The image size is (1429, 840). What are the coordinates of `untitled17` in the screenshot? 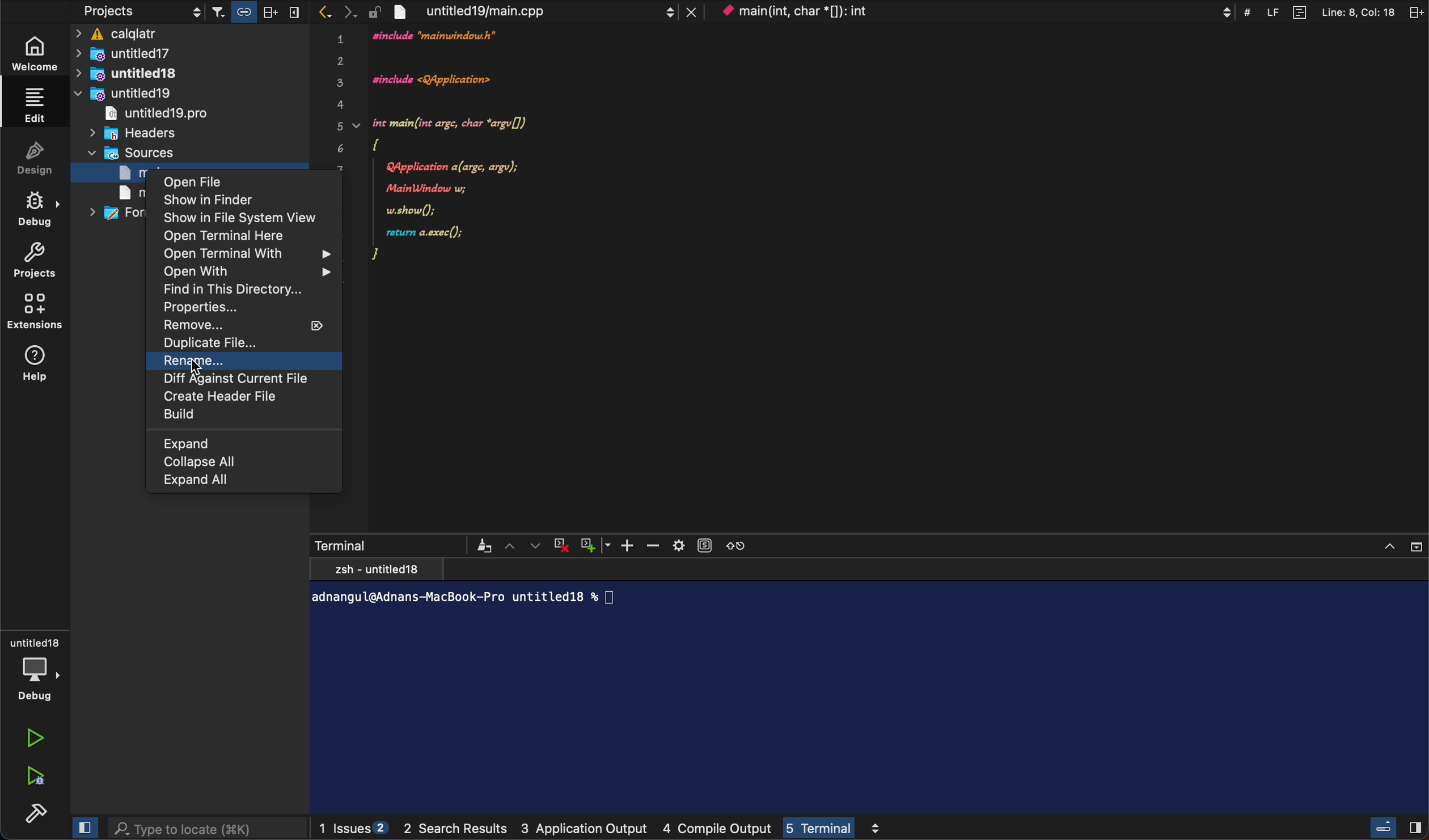 It's located at (152, 53).